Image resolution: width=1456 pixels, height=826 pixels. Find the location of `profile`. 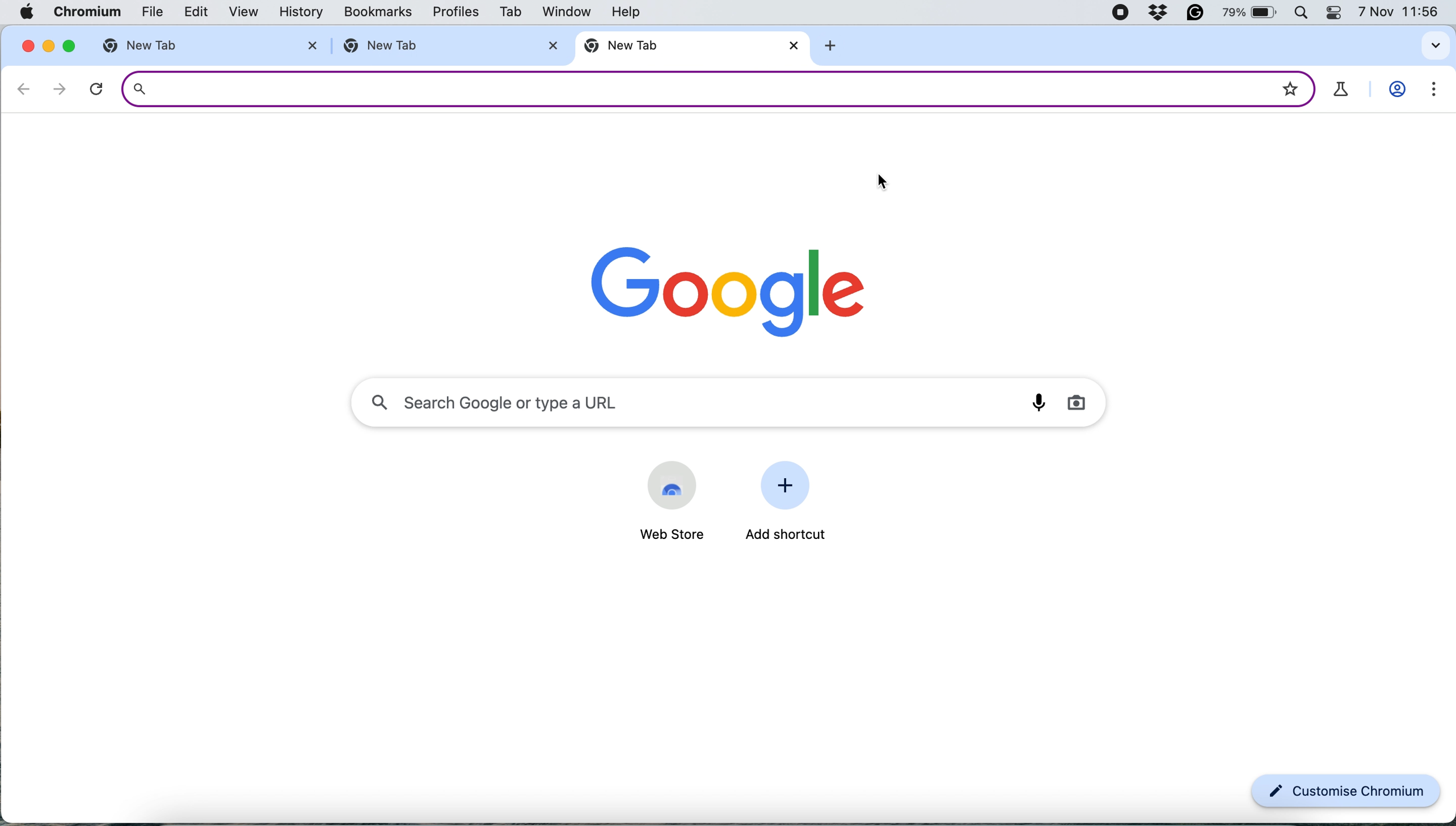

profile is located at coordinates (1398, 91).